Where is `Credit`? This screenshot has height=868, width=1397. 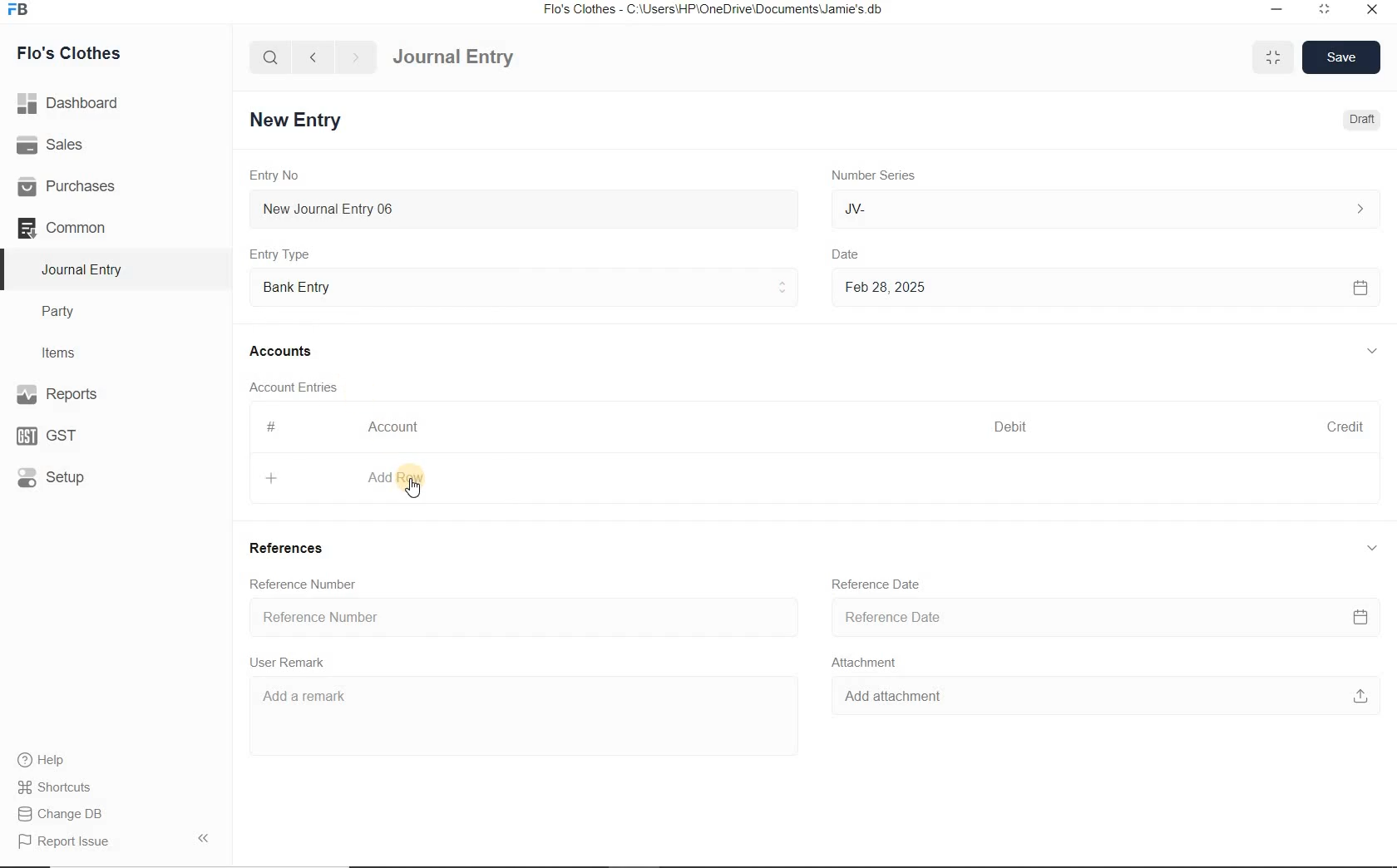 Credit is located at coordinates (1346, 427).